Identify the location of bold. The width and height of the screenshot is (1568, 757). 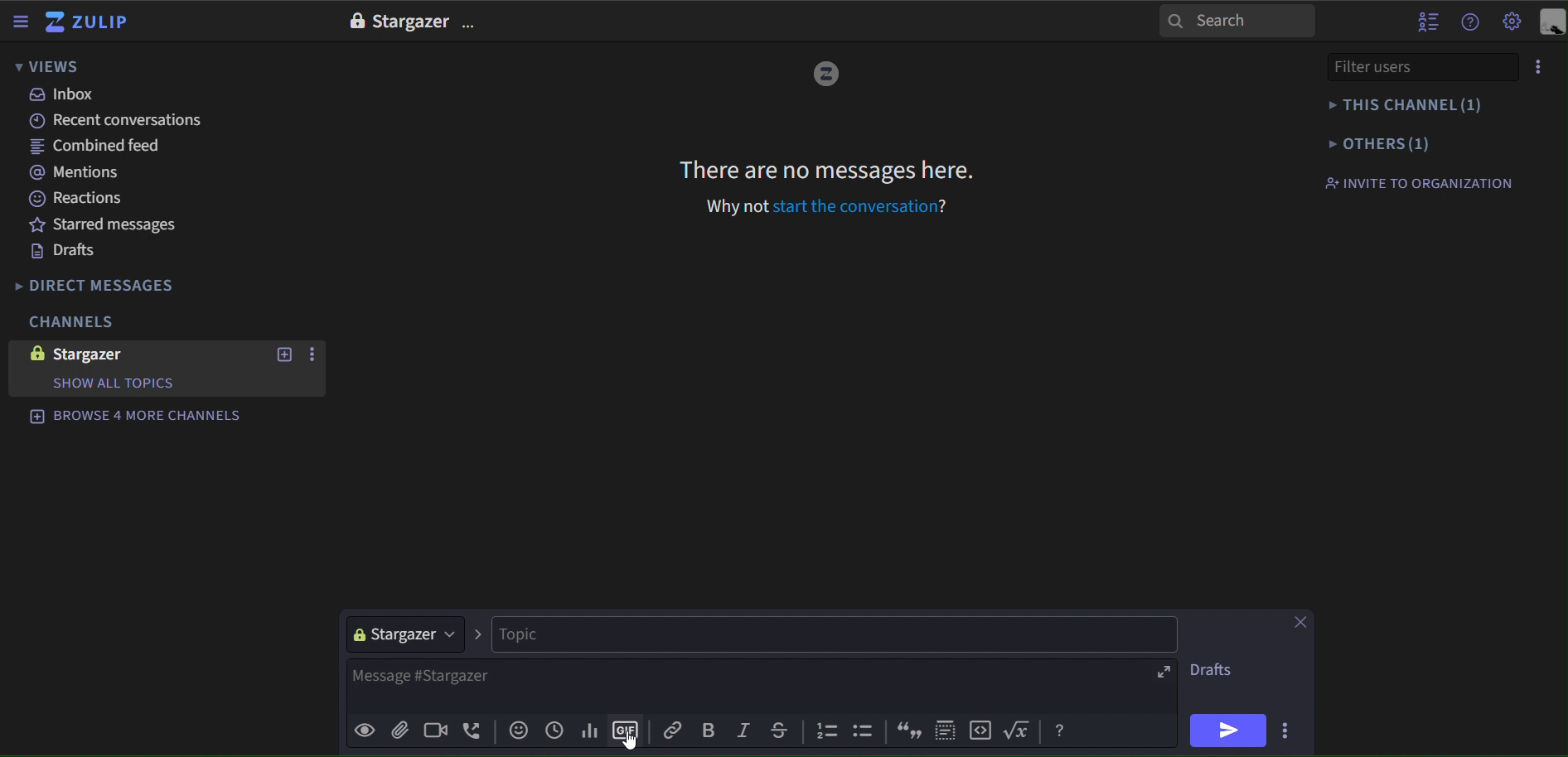
(708, 730).